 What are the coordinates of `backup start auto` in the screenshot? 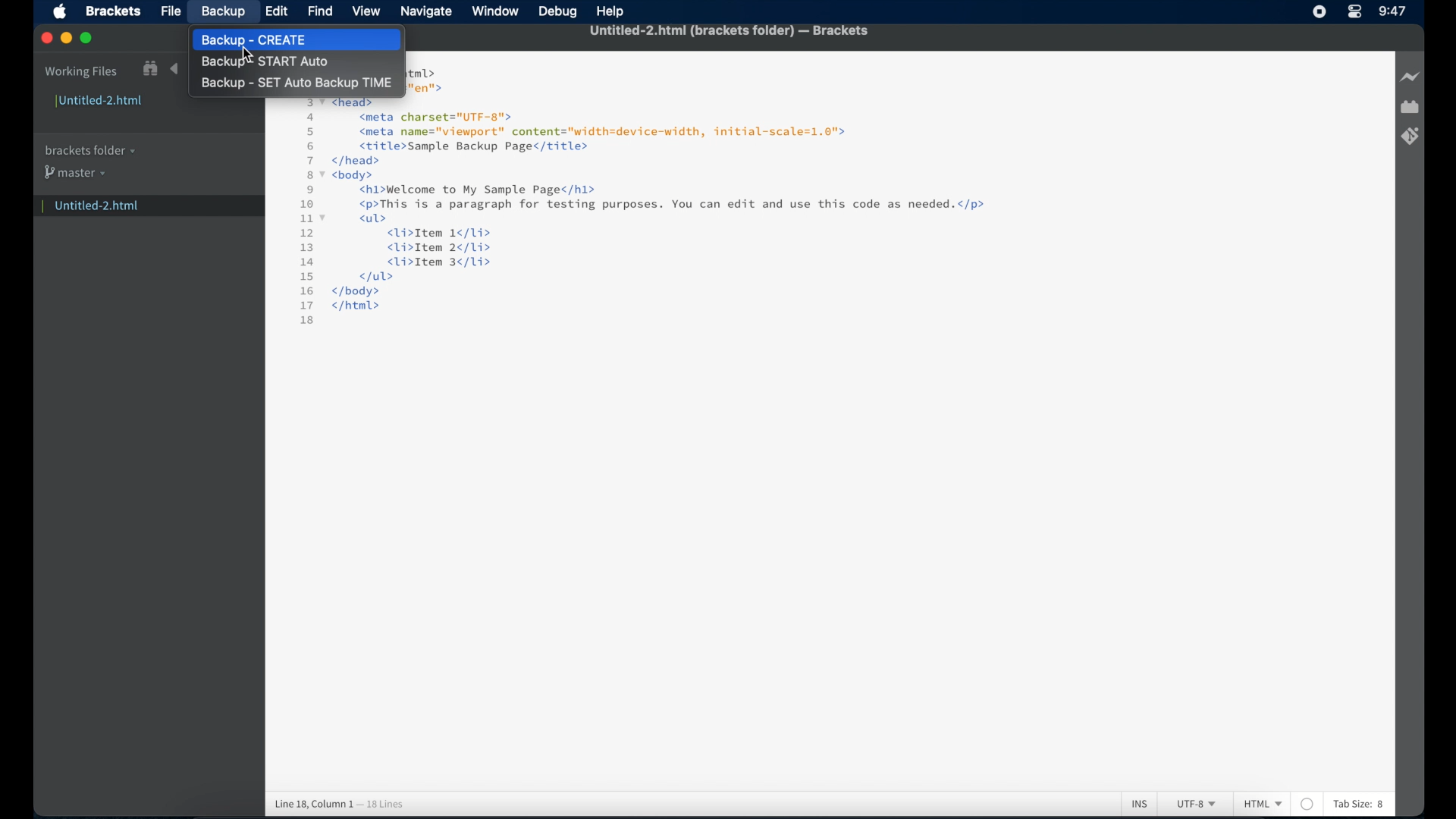 It's located at (265, 62).